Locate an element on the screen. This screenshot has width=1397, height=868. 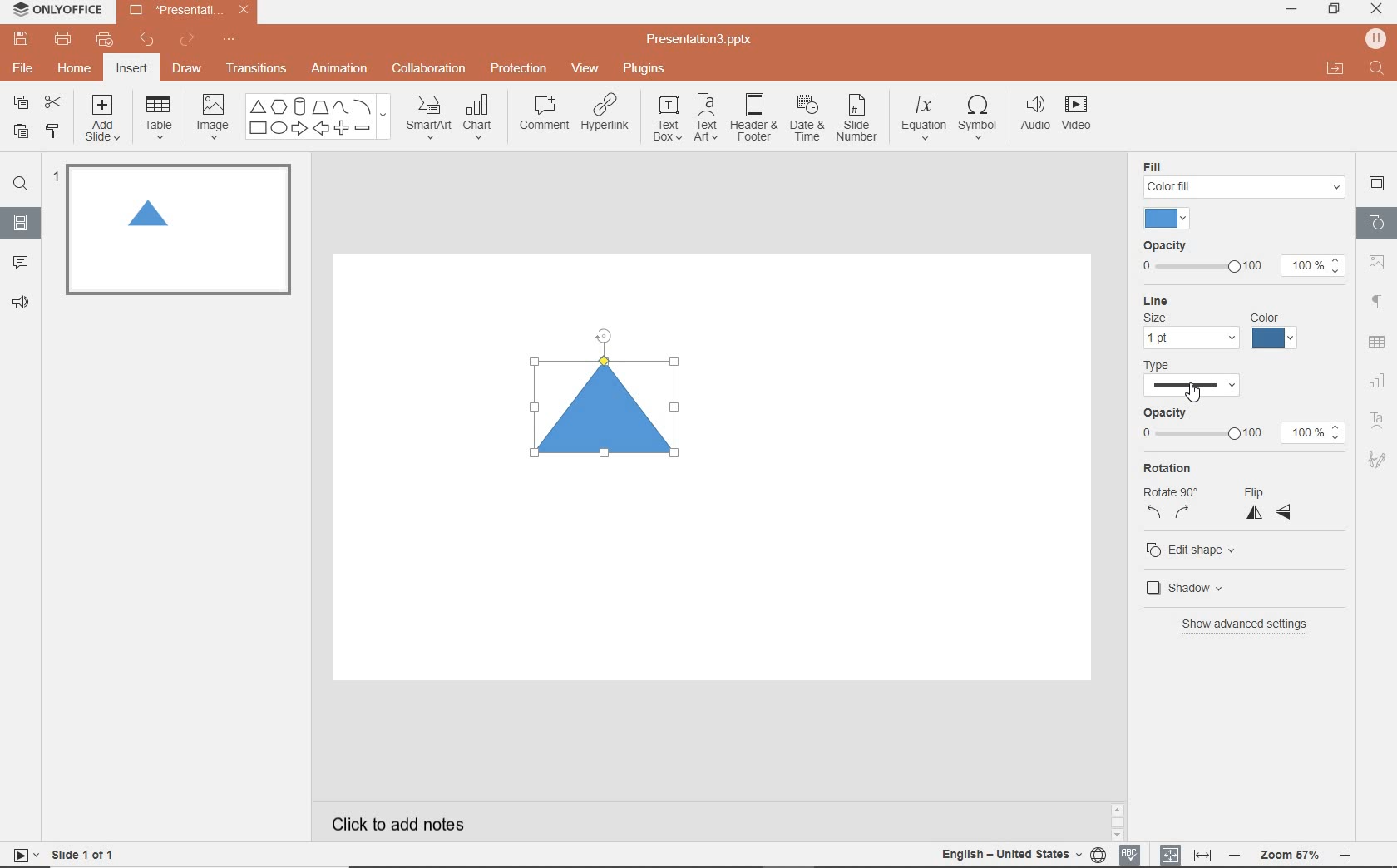
CHART is located at coordinates (480, 118).